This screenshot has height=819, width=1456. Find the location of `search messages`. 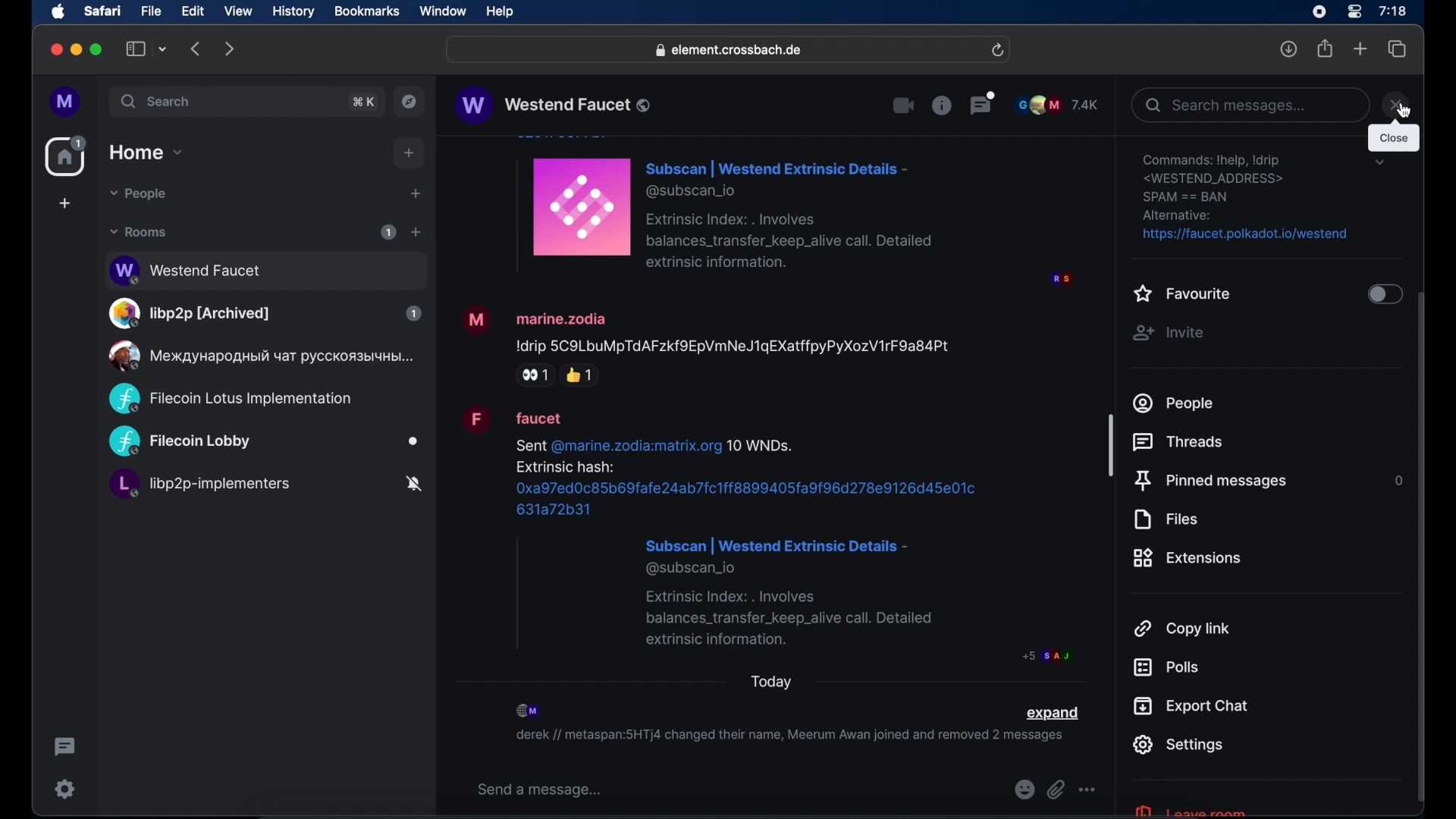

search messages is located at coordinates (1249, 105).